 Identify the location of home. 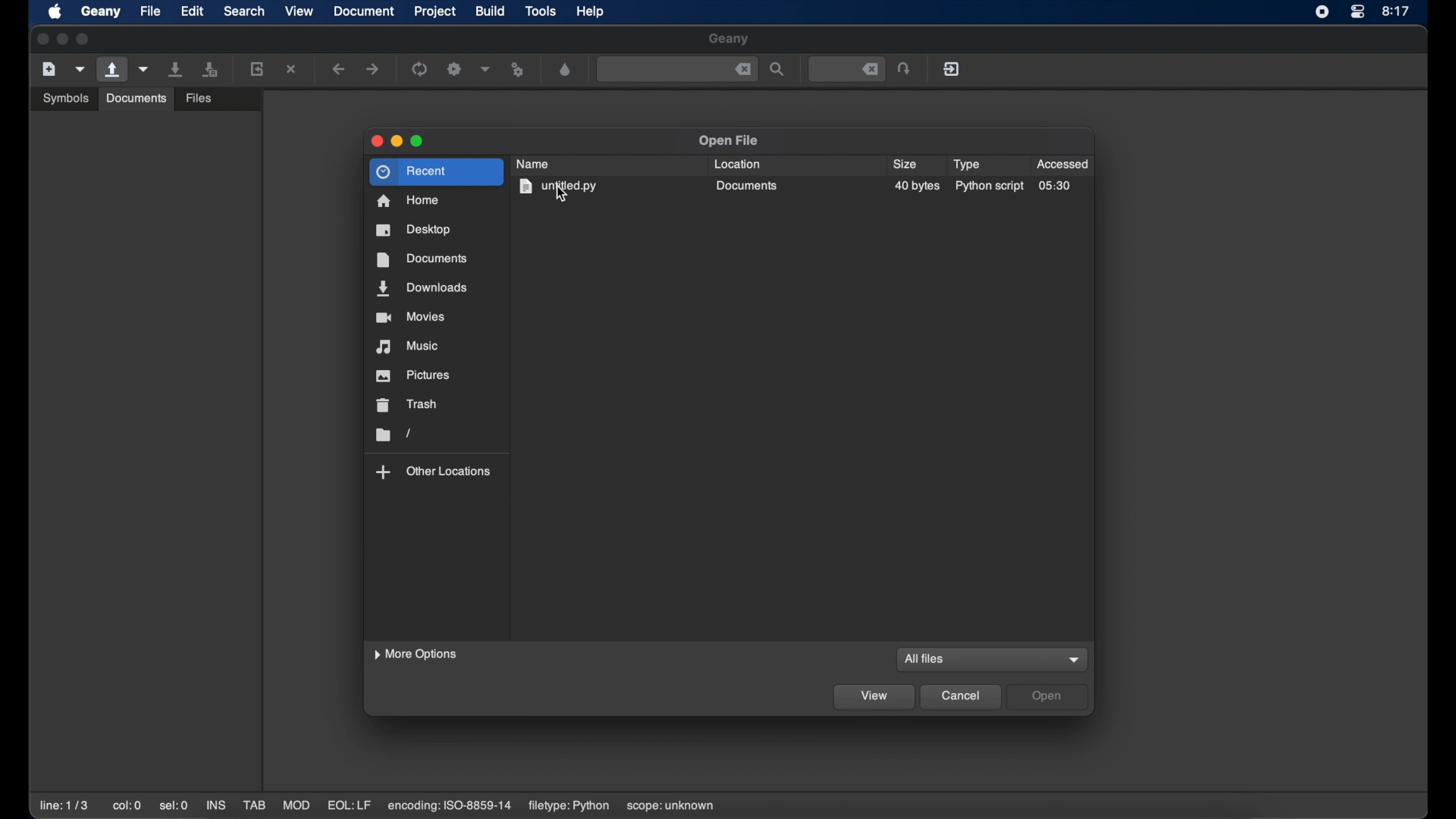
(408, 200).